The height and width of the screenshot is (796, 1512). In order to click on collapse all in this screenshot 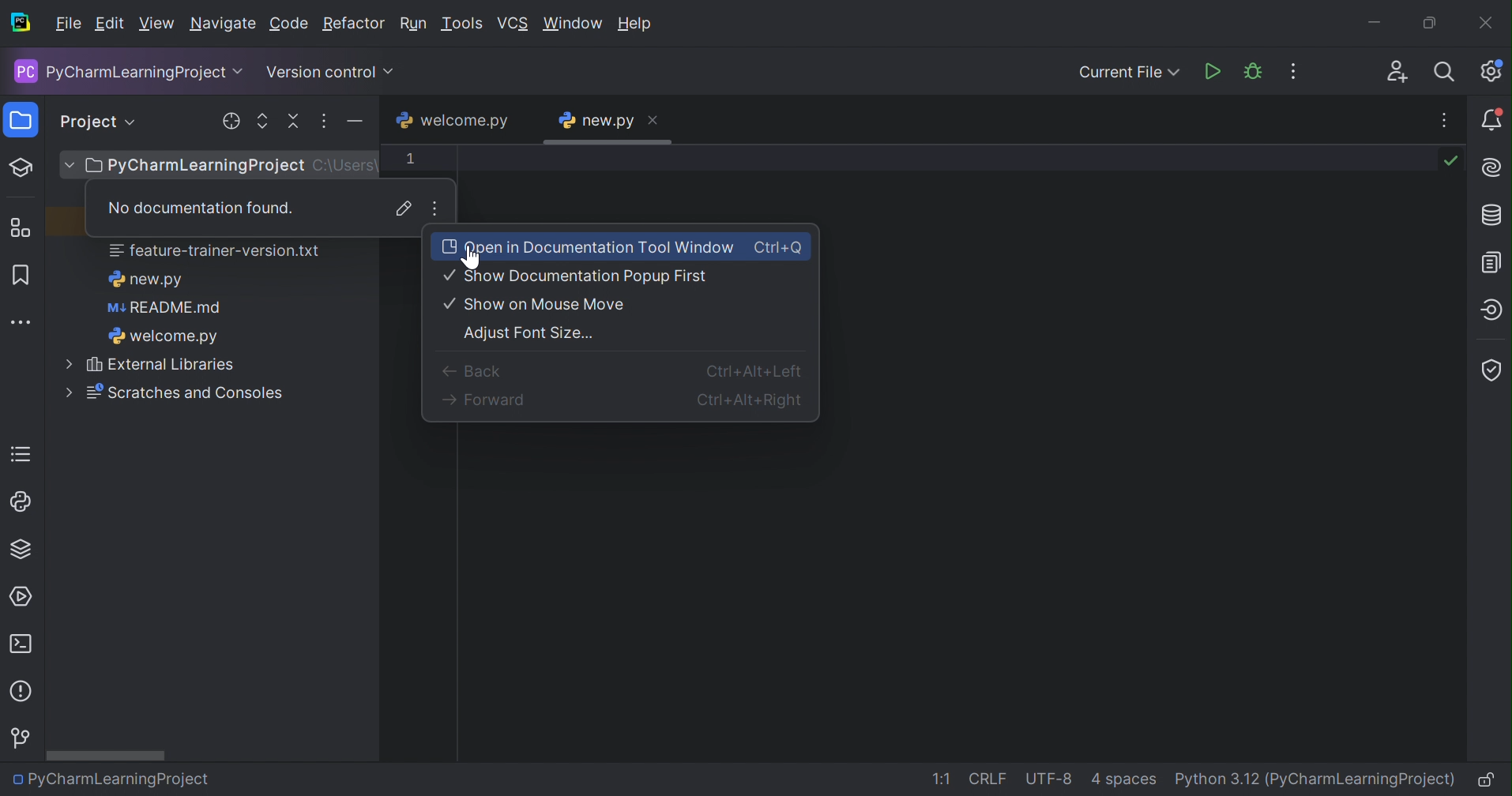, I will do `click(292, 122)`.